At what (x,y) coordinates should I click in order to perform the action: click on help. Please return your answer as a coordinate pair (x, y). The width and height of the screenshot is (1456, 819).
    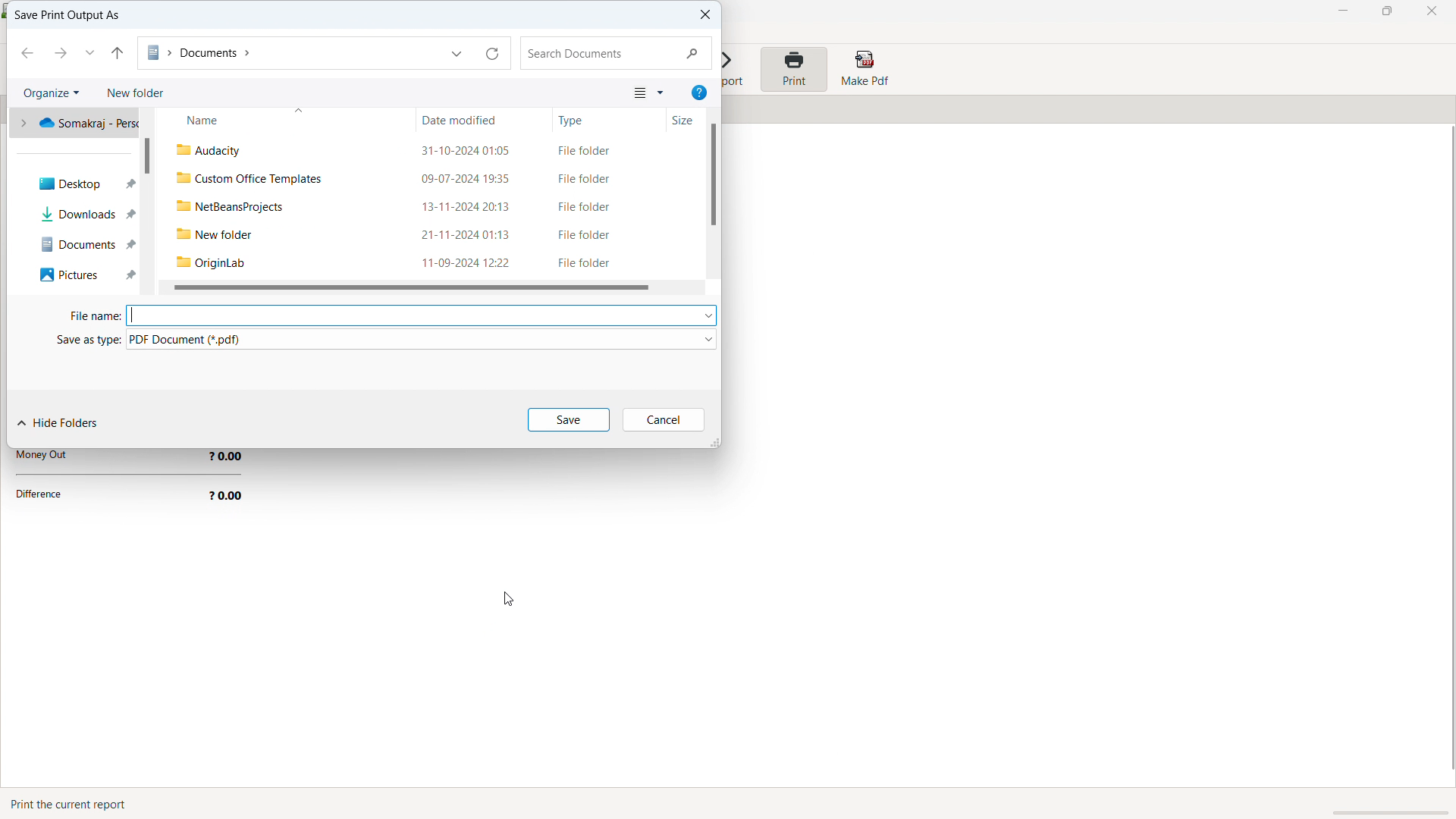
    Looking at the image, I should click on (699, 93).